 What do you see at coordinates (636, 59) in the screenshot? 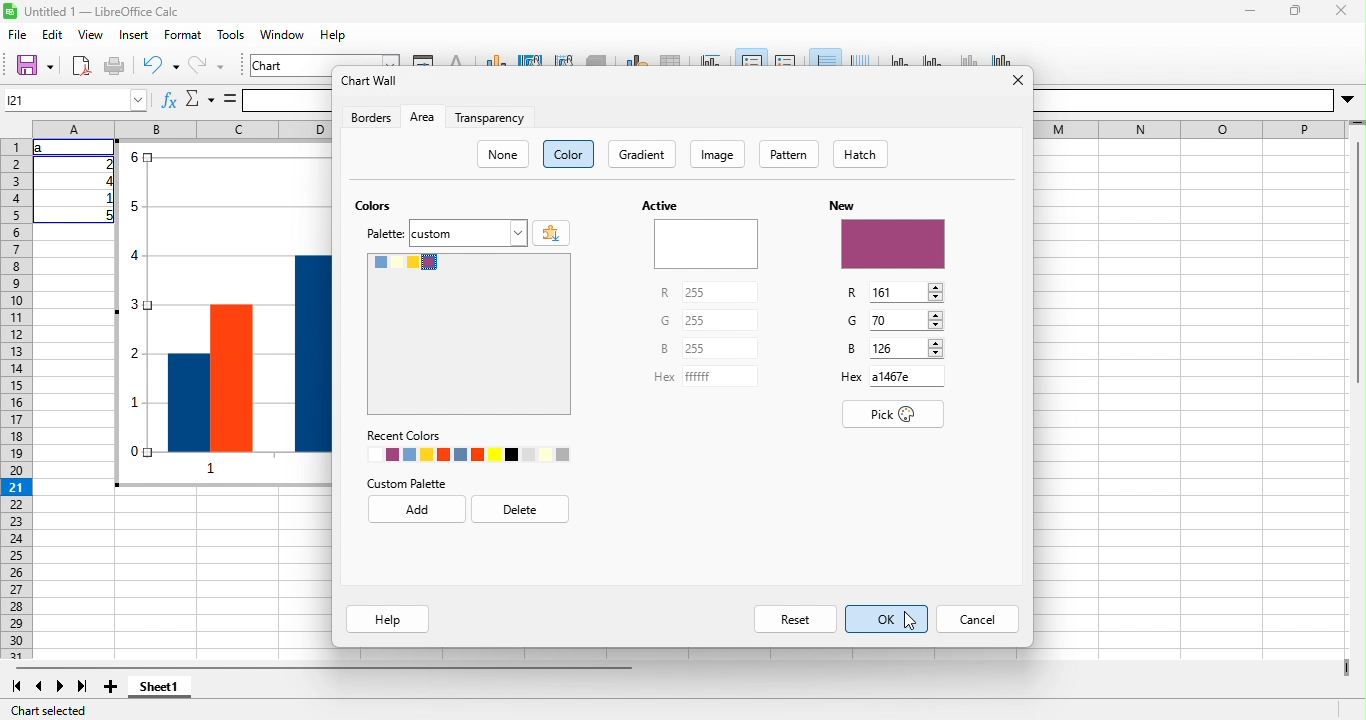
I see `data range` at bounding box center [636, 59].